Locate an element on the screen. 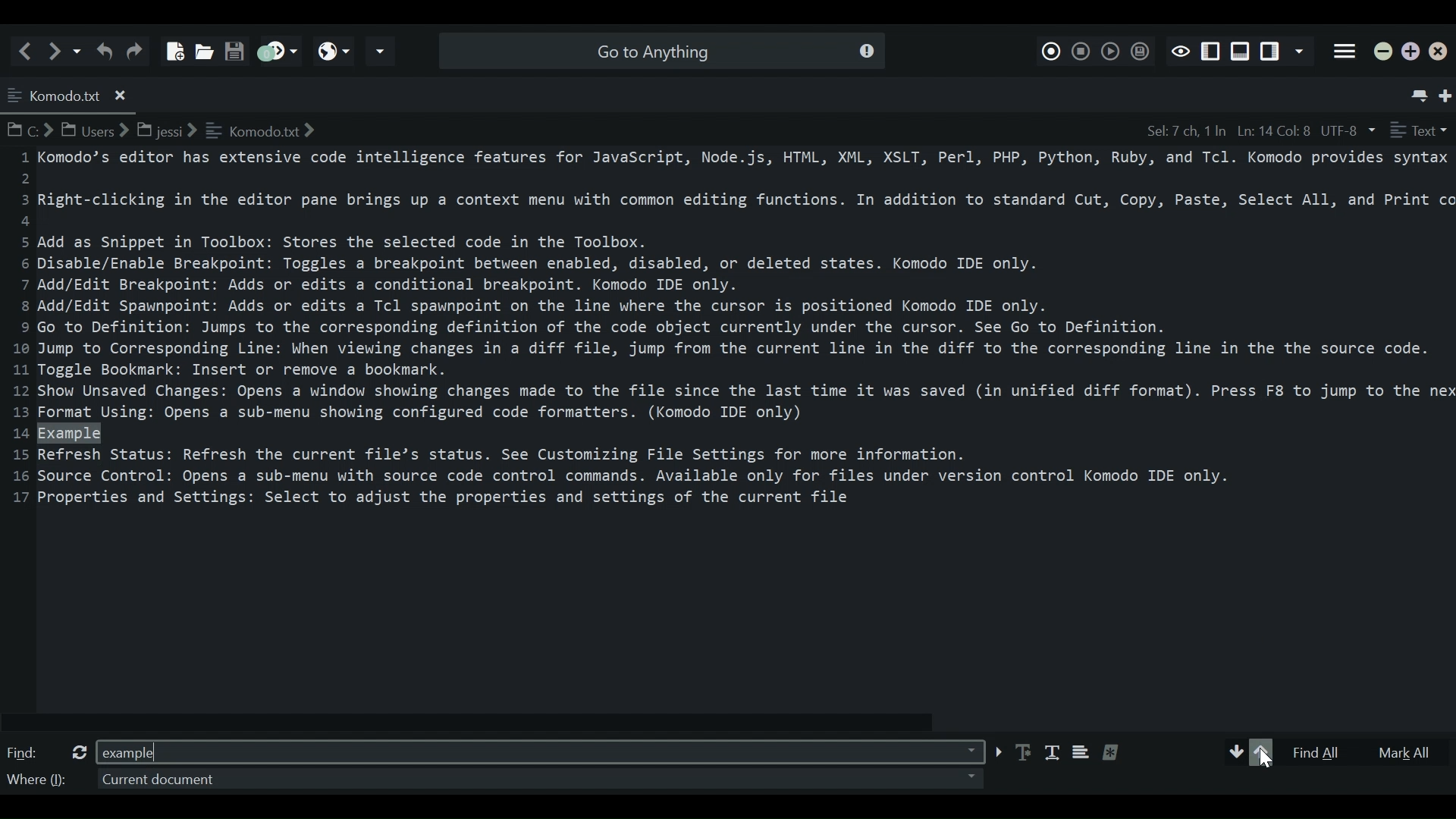 This screenshot has height=819, width=1456. Show/Hide Left Pane  is located at coordinates (1272, 52).